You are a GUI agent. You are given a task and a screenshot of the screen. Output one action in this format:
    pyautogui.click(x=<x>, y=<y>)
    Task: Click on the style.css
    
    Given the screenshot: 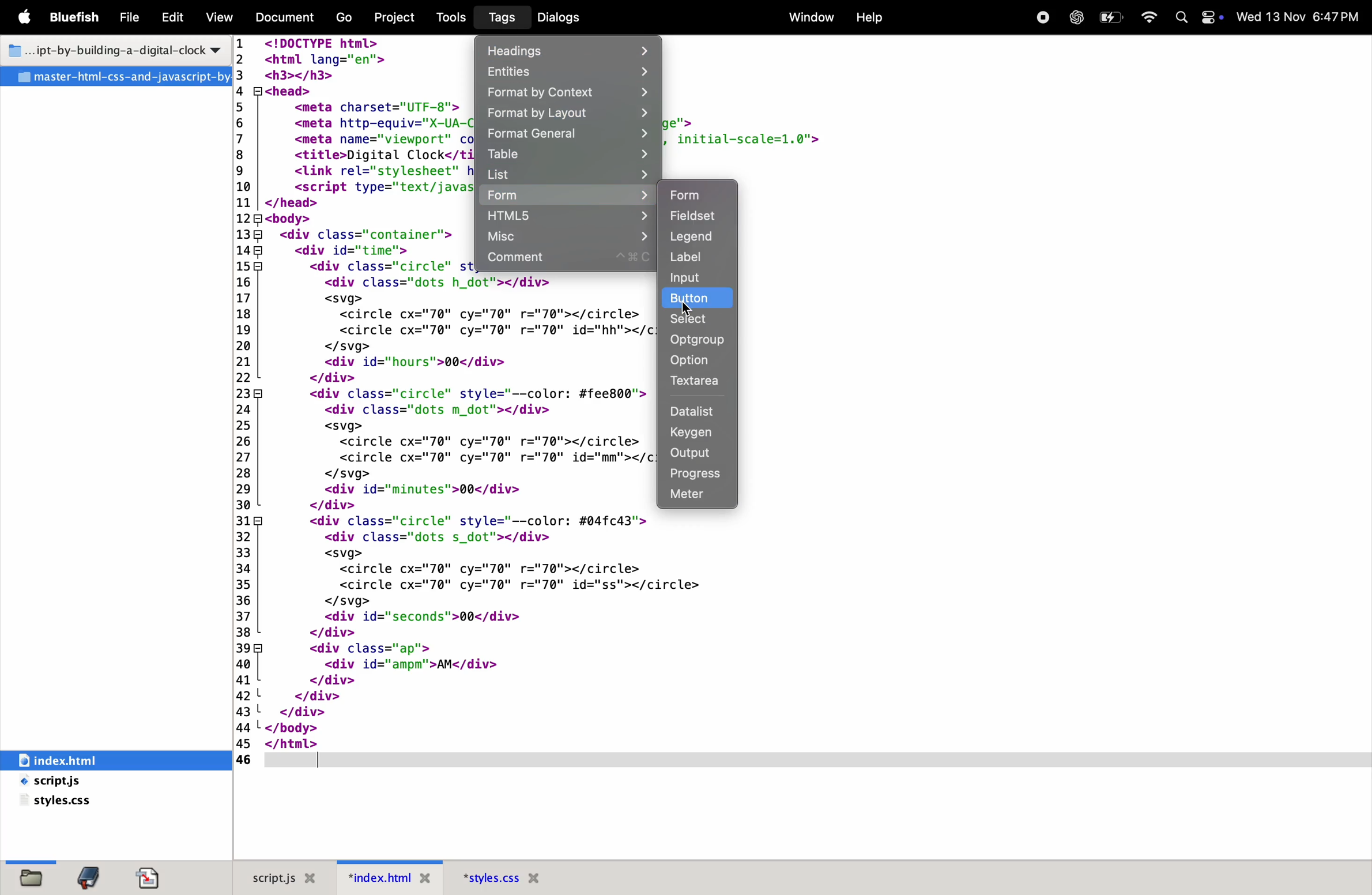 What is the action you would take?
    pyautogui.click(x=88, y=802)
    